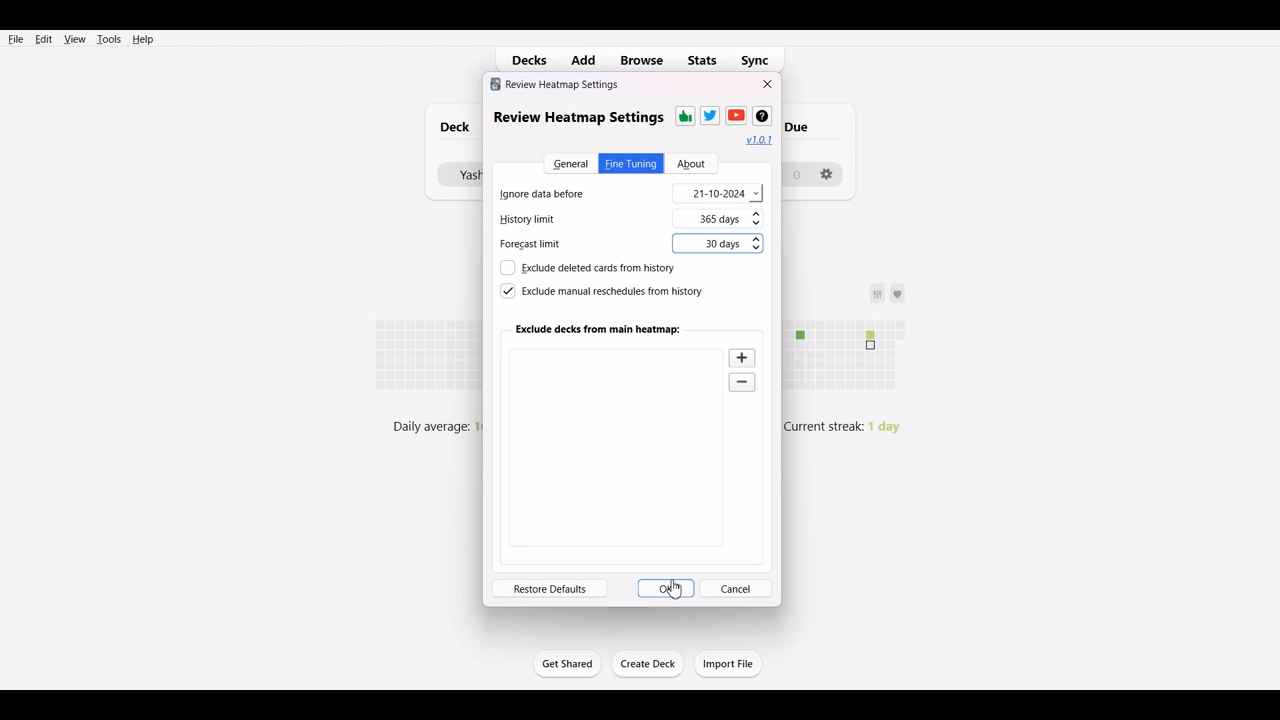  I want to click on File, so click(16, 38).